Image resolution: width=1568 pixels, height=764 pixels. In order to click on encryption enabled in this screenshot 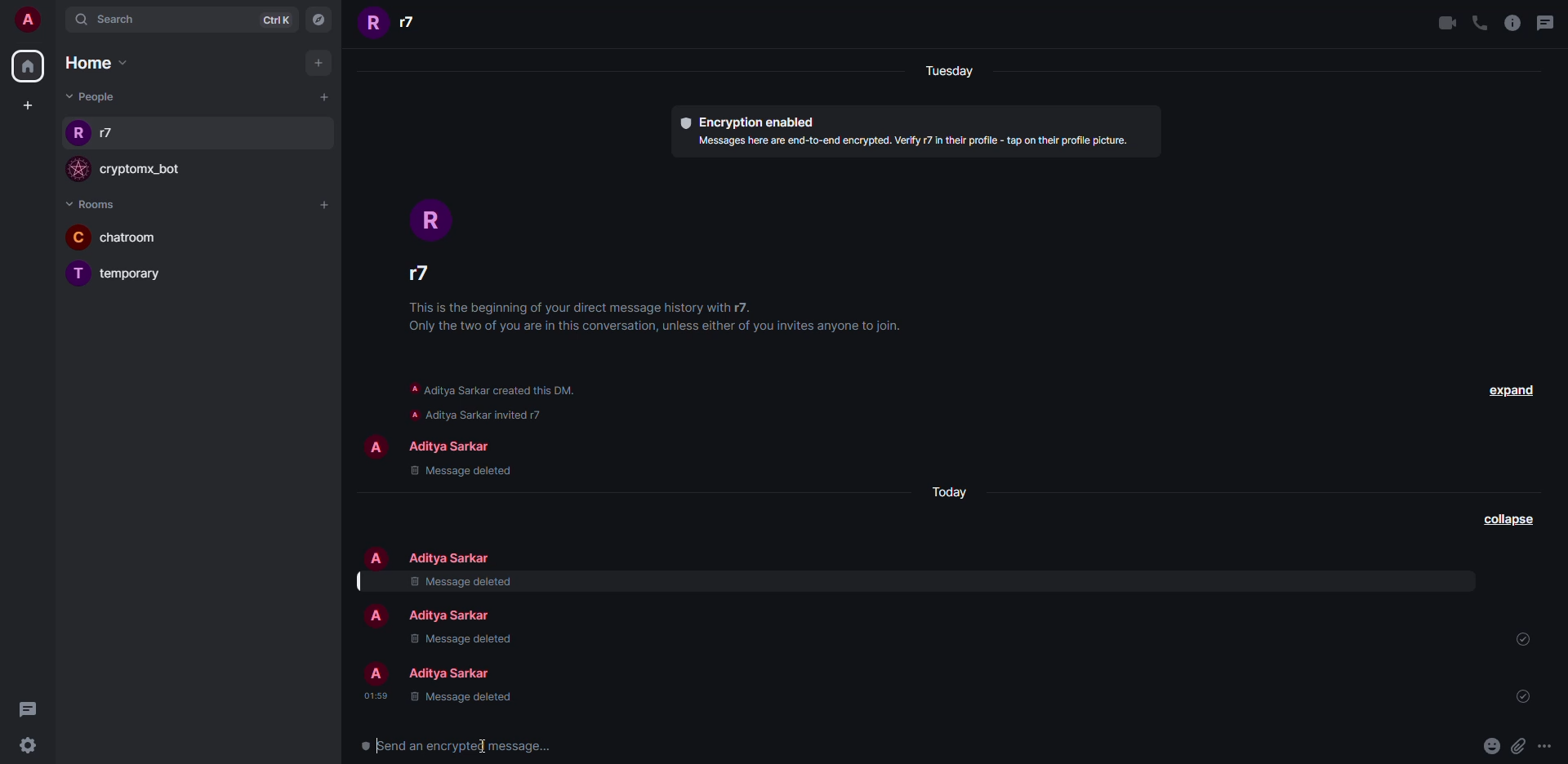, I will do `click(748, 119)`.